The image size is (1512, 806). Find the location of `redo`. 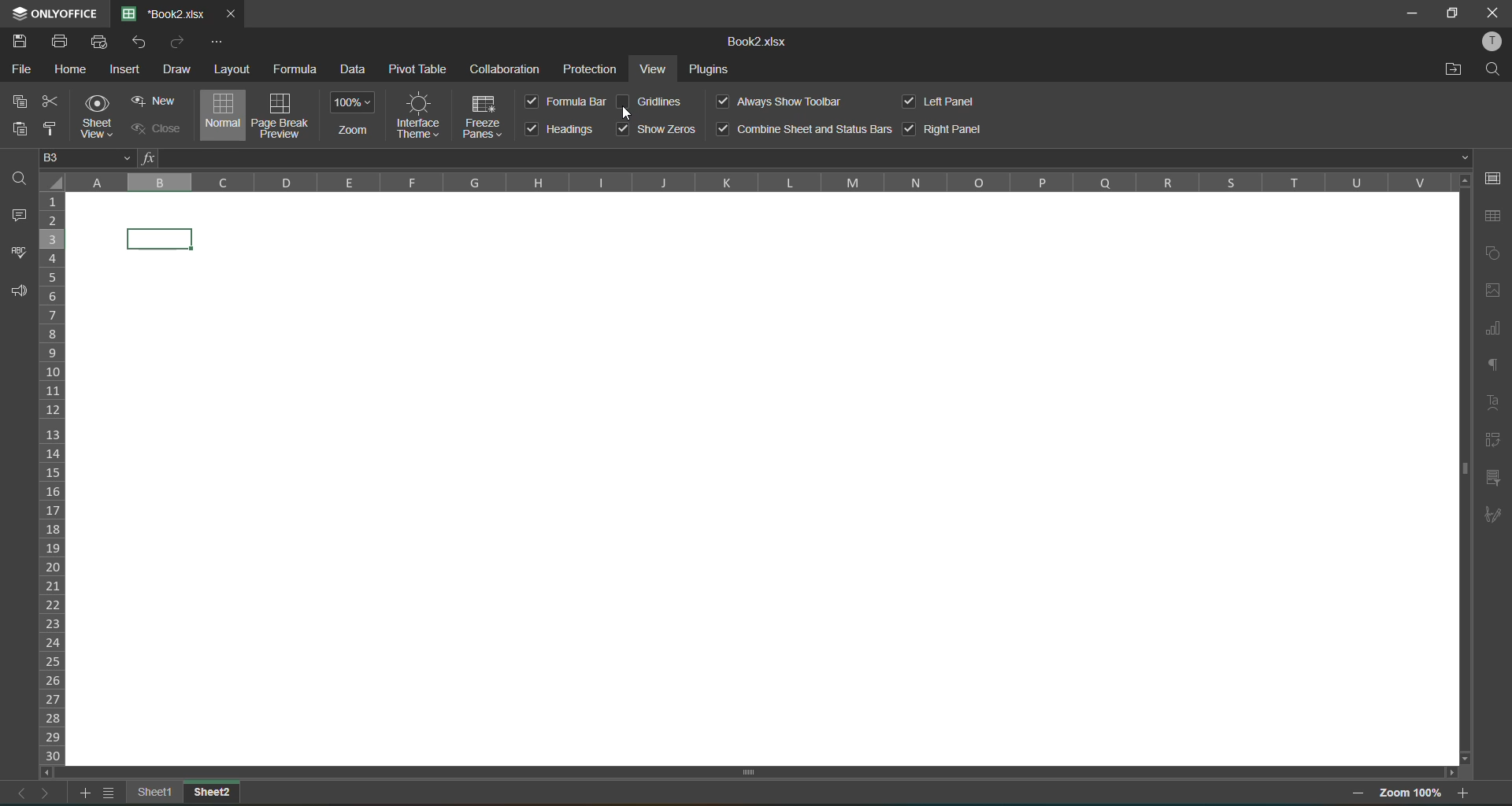

redo is located at coordinates (176, 41).